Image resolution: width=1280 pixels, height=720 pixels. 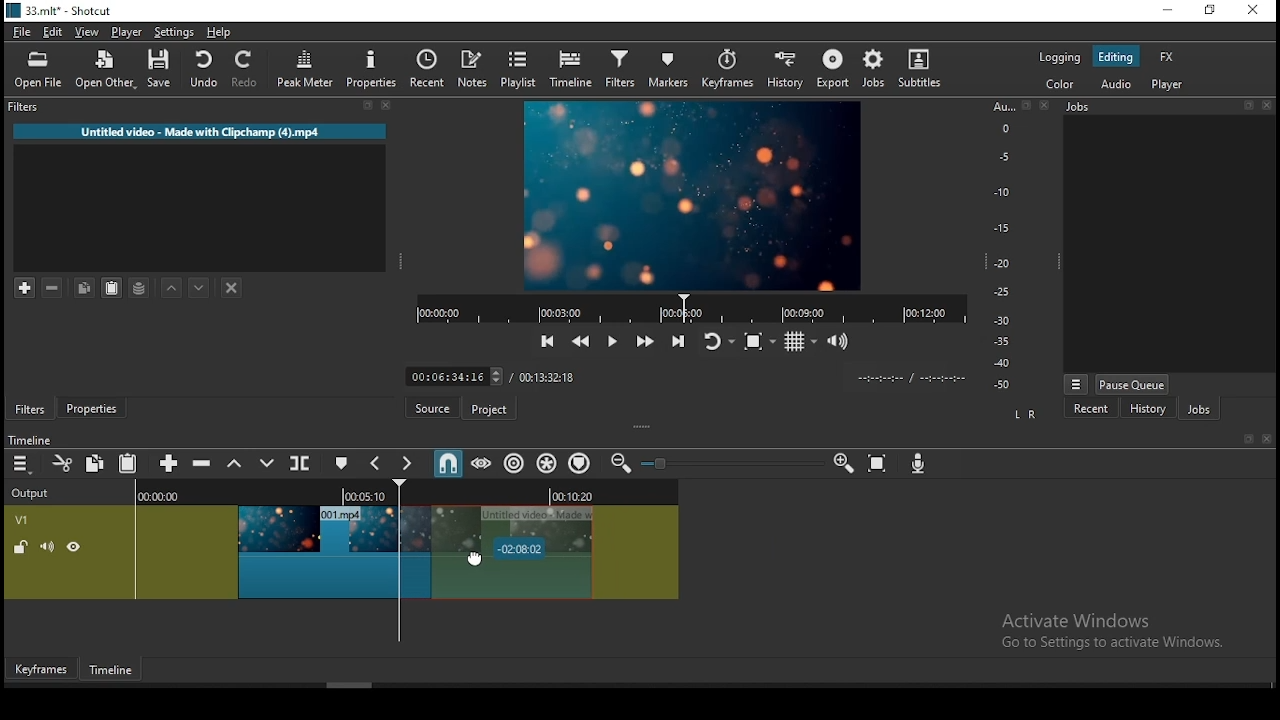 What do you see at coordinates (248, 72) in the screenshot?
I see `redo` at bounding box center [248, 72].